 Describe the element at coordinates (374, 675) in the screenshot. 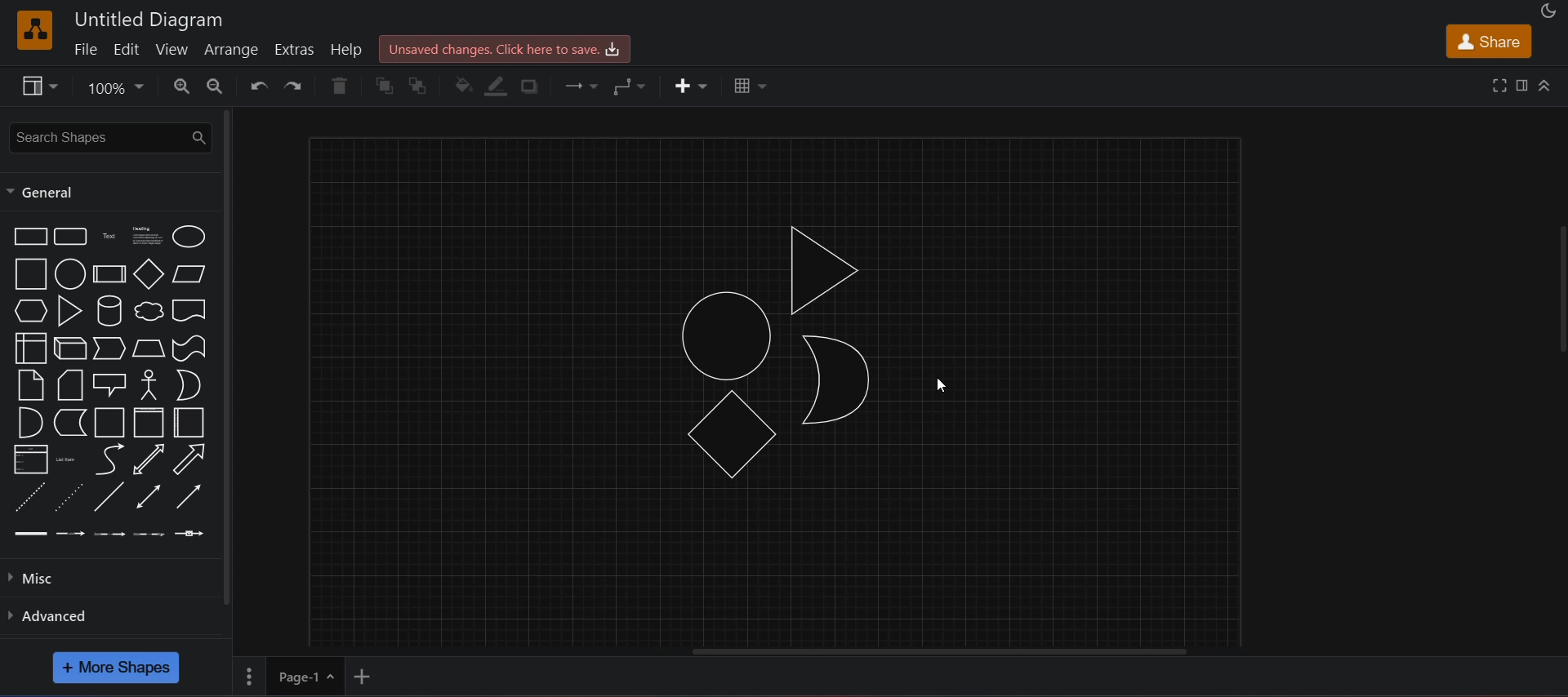

I see `add new page` at that location.